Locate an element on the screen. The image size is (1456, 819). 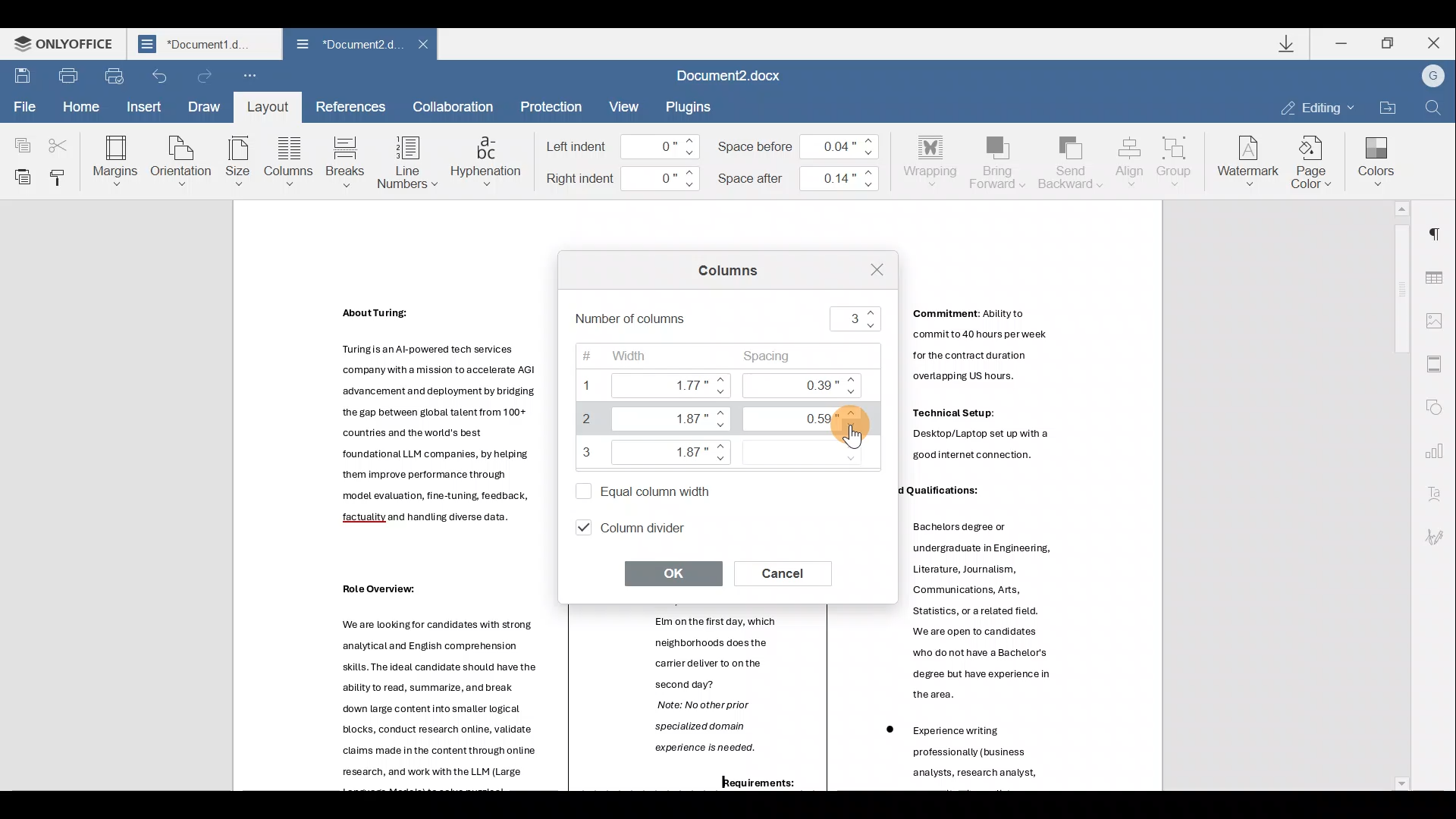
Save is located at coordinates (20, 77).